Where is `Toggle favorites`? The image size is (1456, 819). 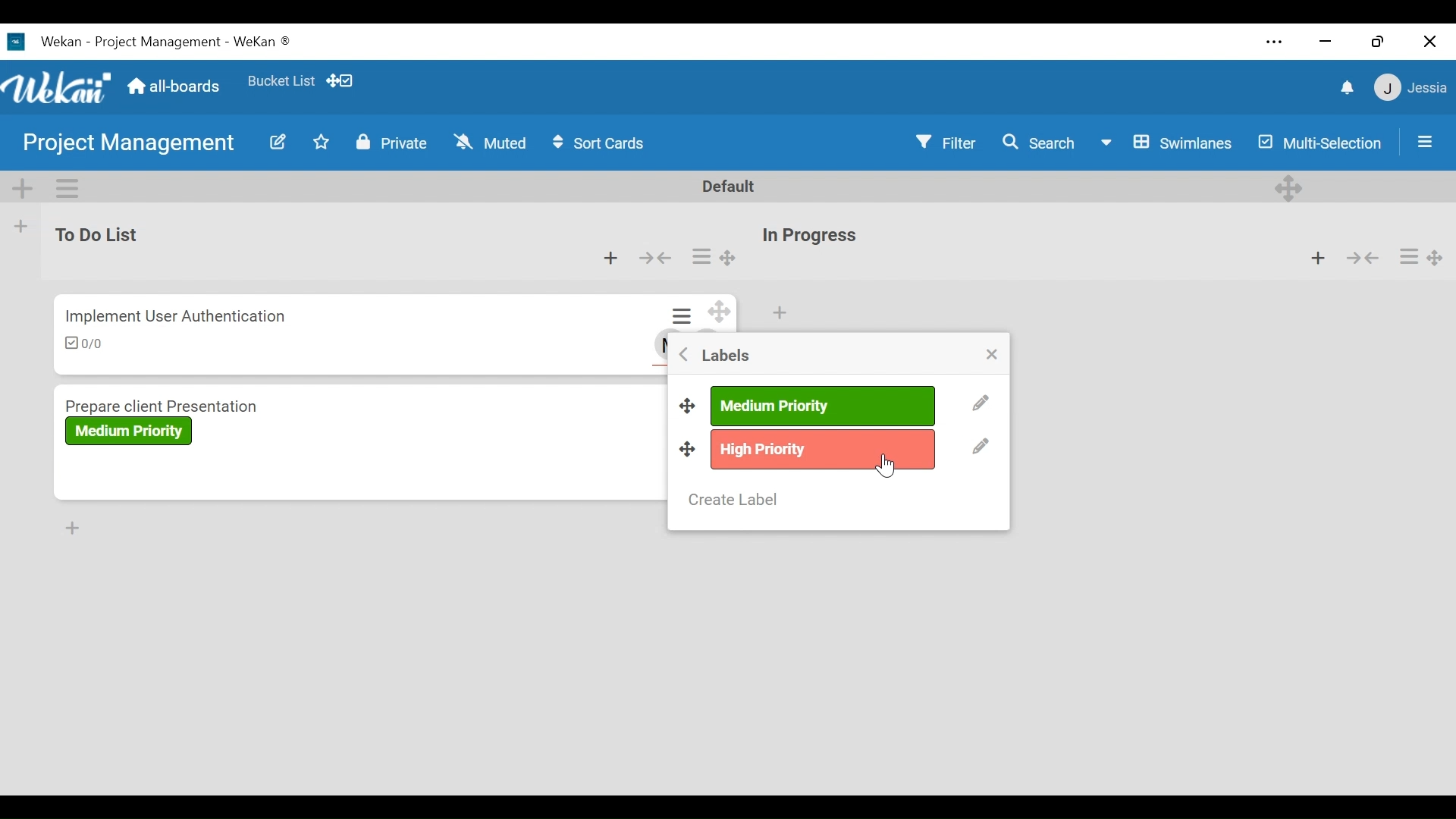
Toggle favorites is located at coordinates (322, 142).